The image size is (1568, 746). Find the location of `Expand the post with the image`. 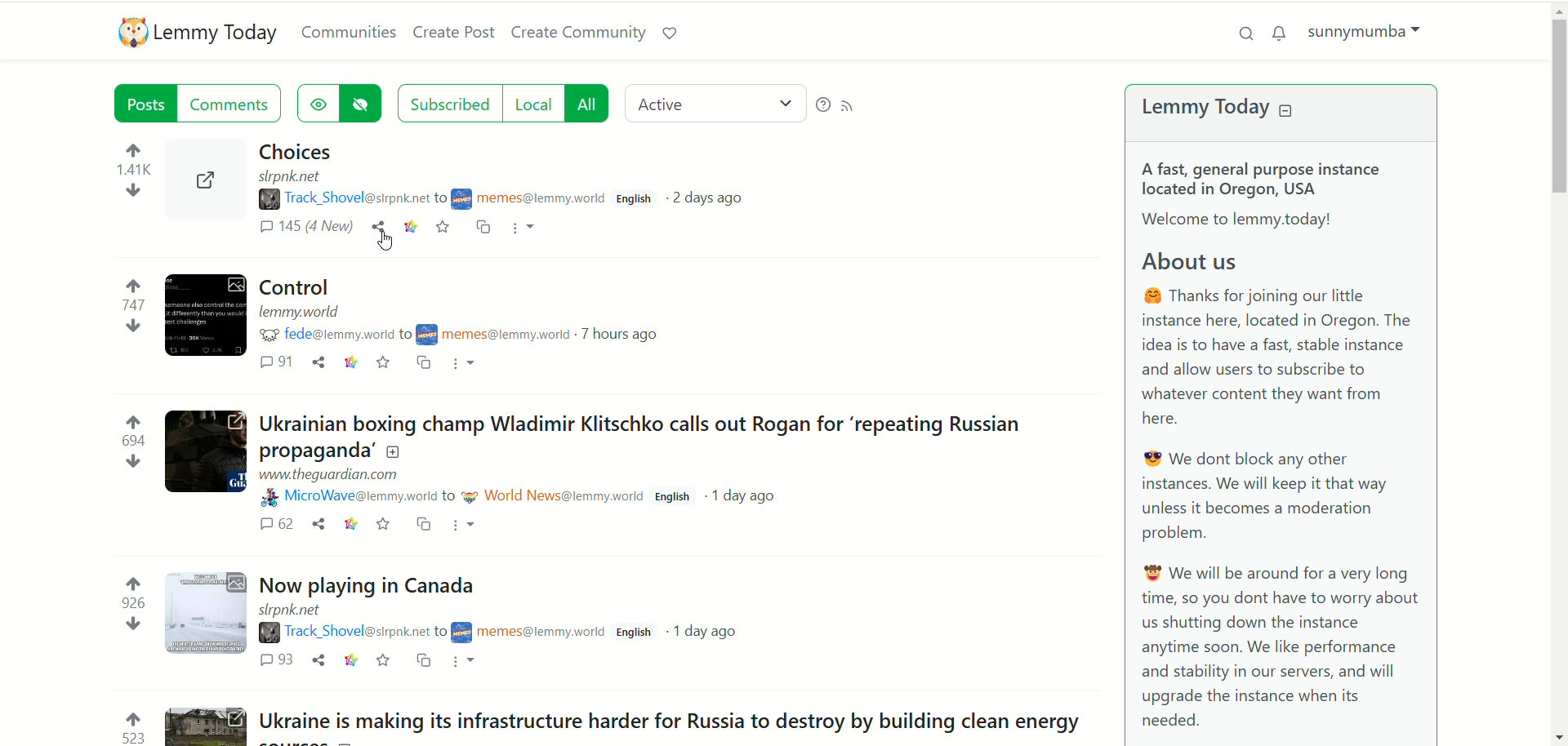

Expand the post with the image is located at coordinates (207, 315).